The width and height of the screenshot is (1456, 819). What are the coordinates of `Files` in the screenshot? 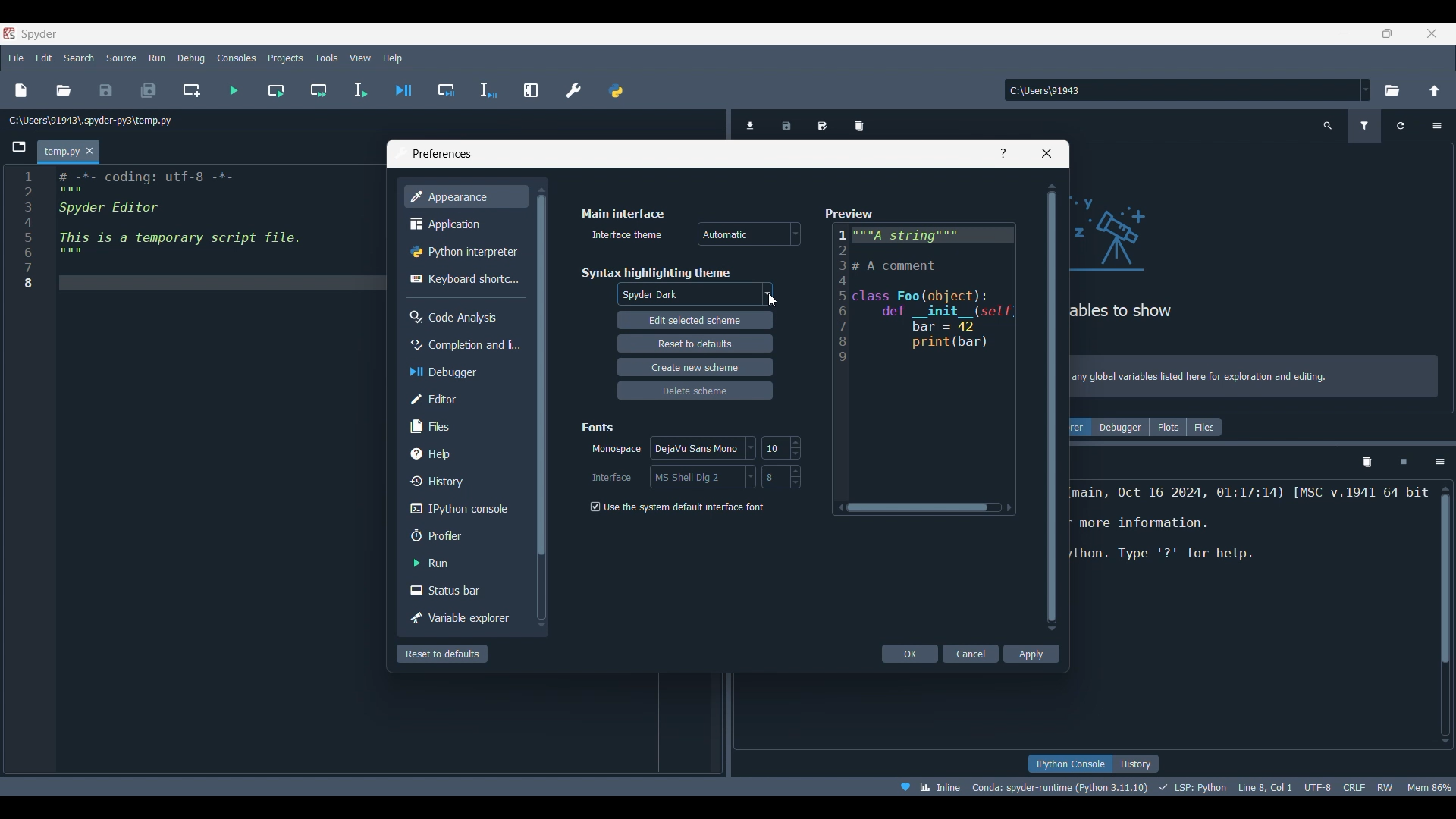 It's located at (465, 425).